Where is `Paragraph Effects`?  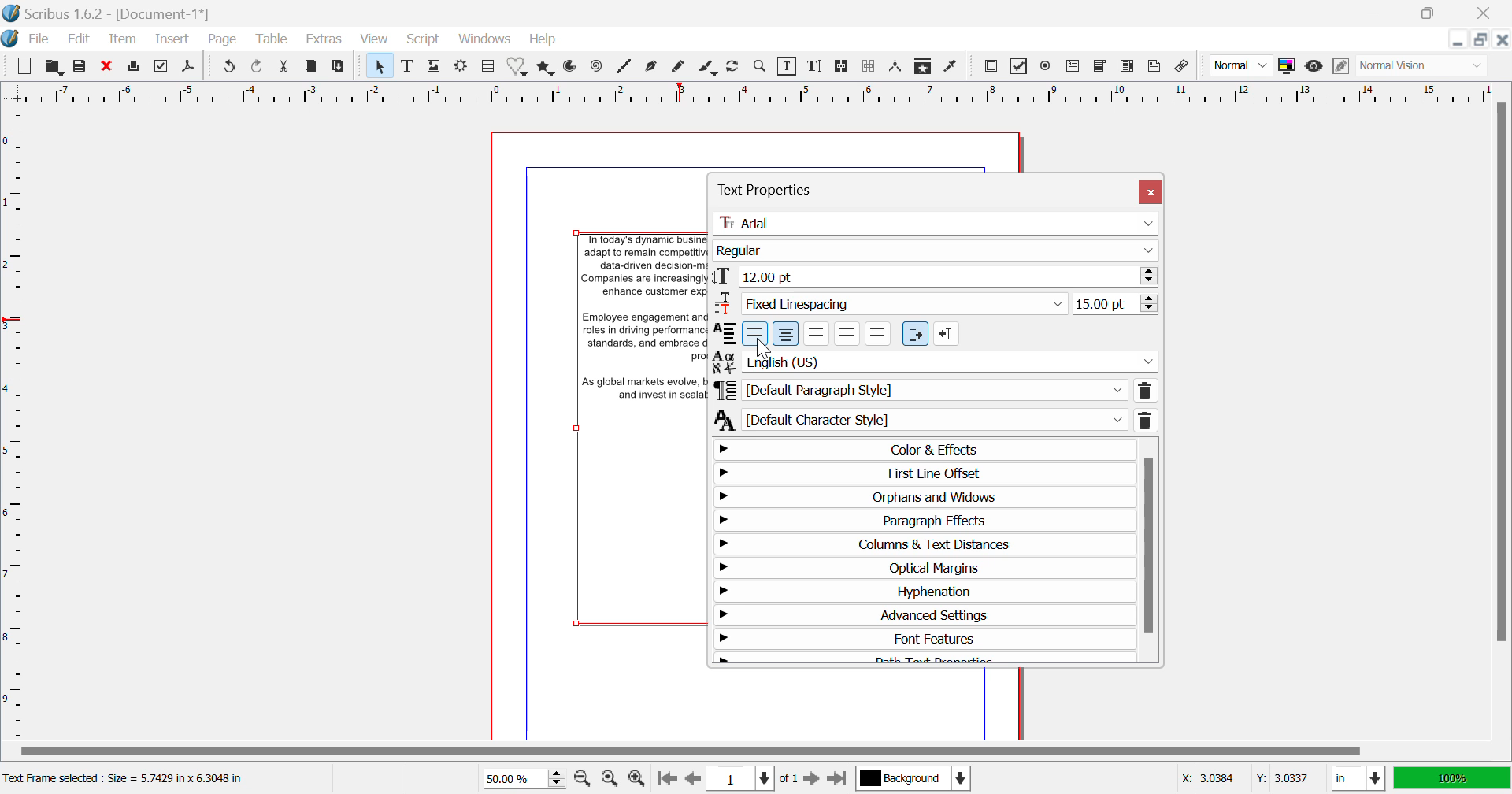 Paragraph Effects is located at coordinates (920, 520).